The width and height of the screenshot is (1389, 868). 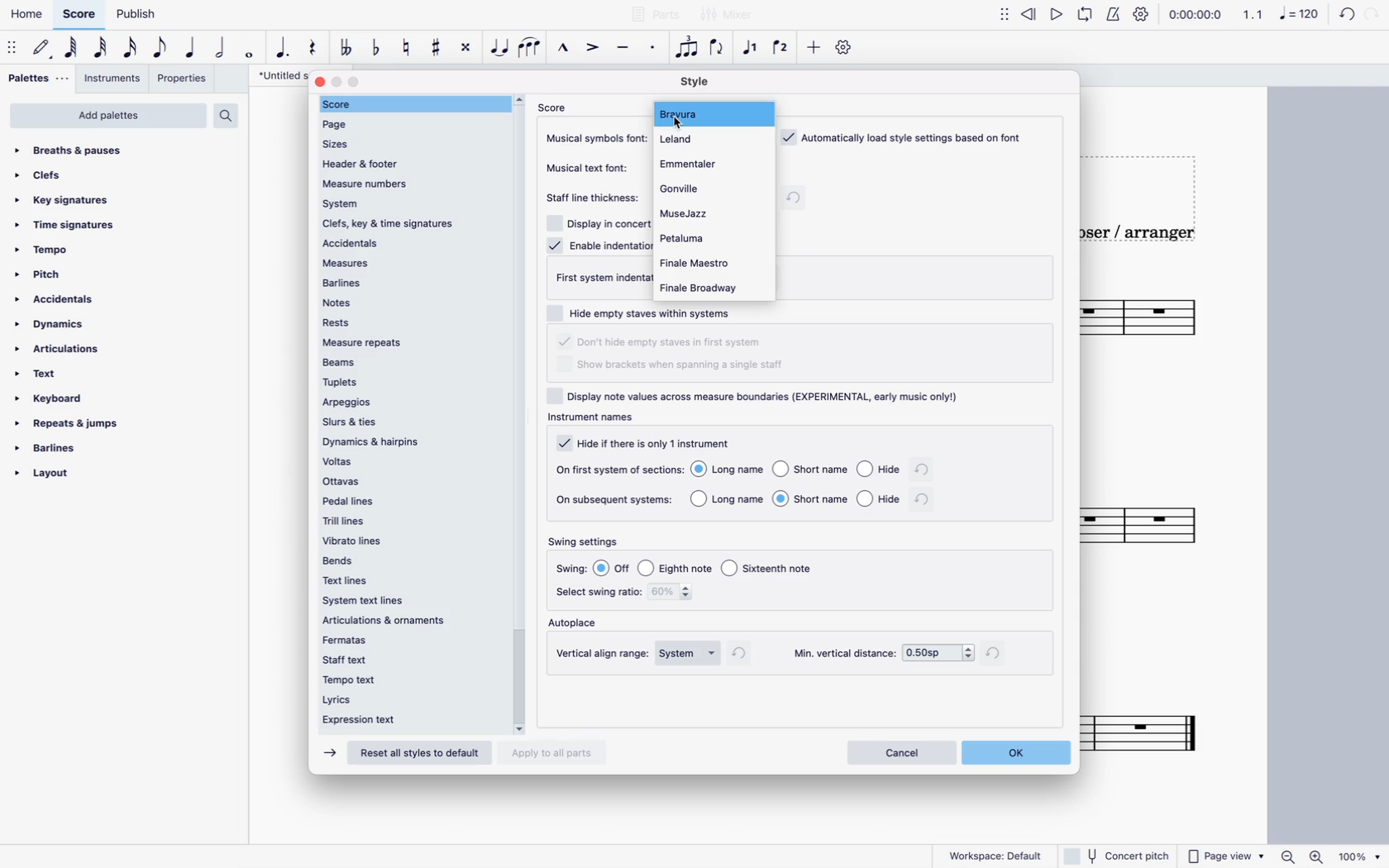 I want to click on instrument names, so click(x=596, y=419).